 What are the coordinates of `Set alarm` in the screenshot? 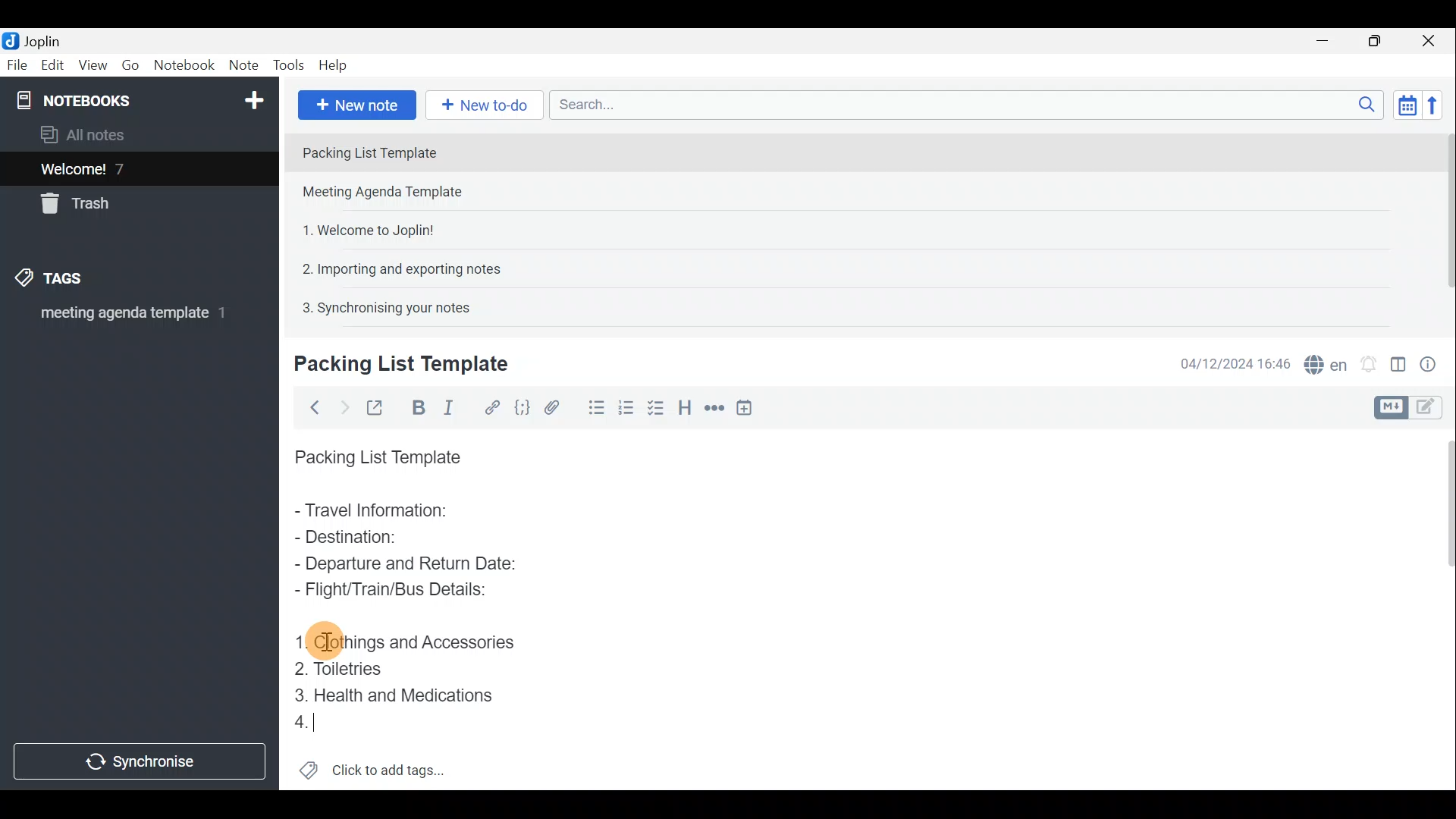 It's located at (1368, 360).